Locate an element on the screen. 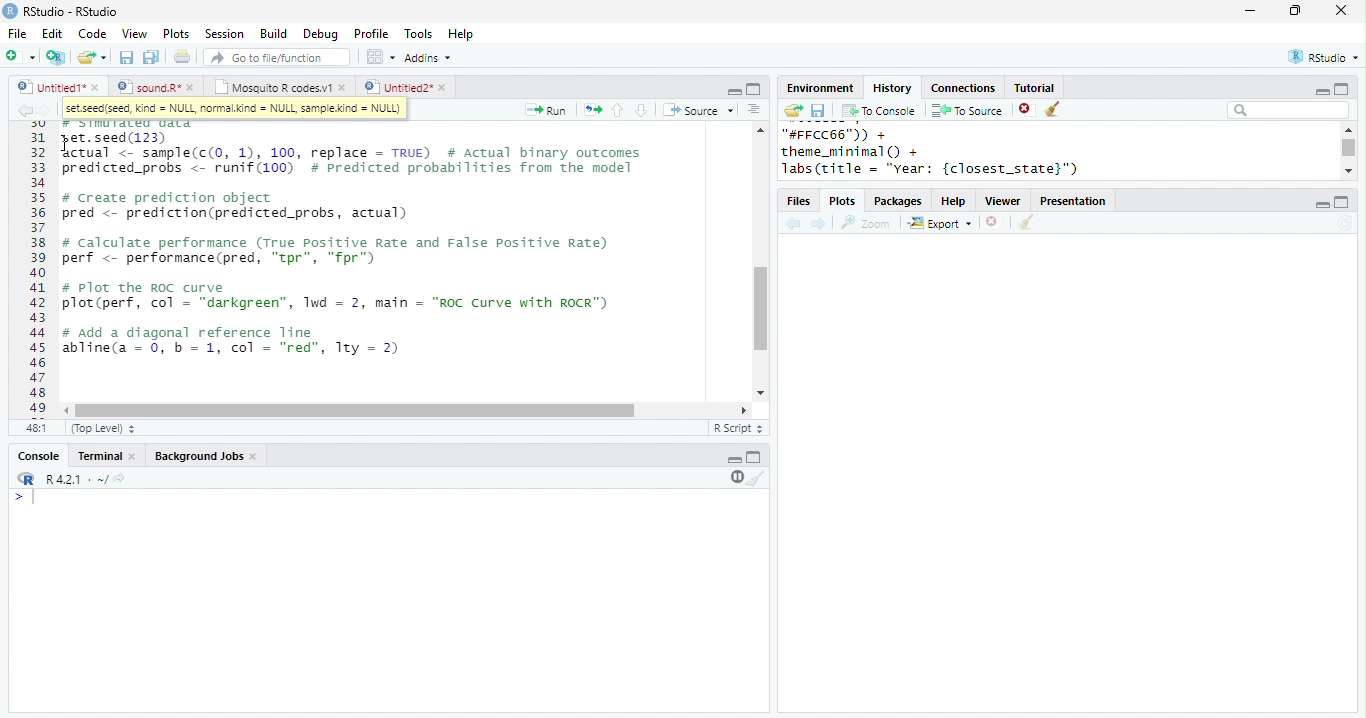 This screenshot has width=1366, height=718. minimize is located at coordinates (1321, 205).